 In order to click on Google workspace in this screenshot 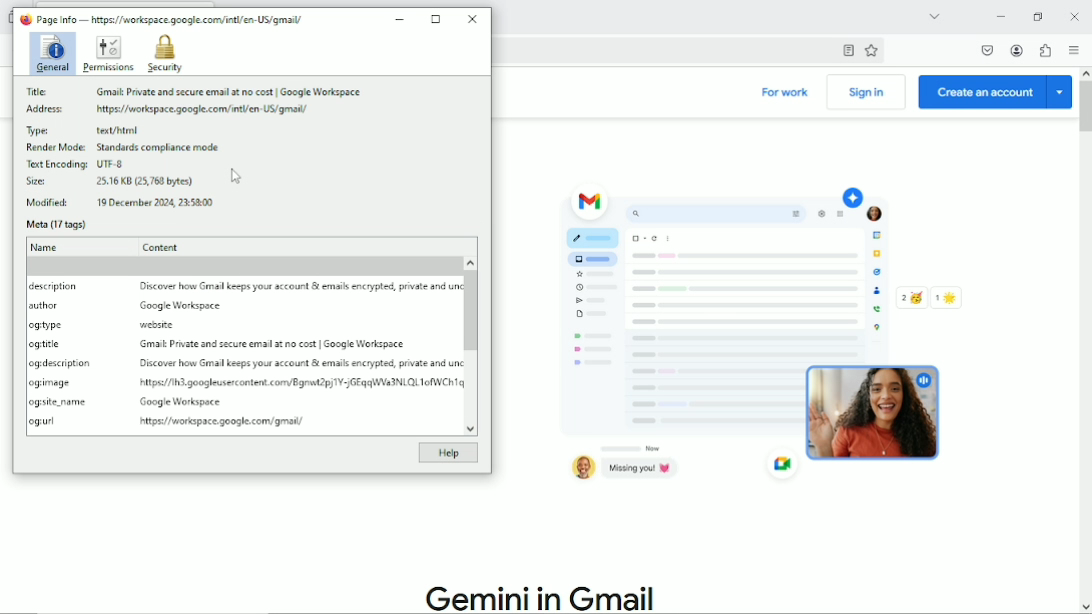, I will do `click(182, 403)`.